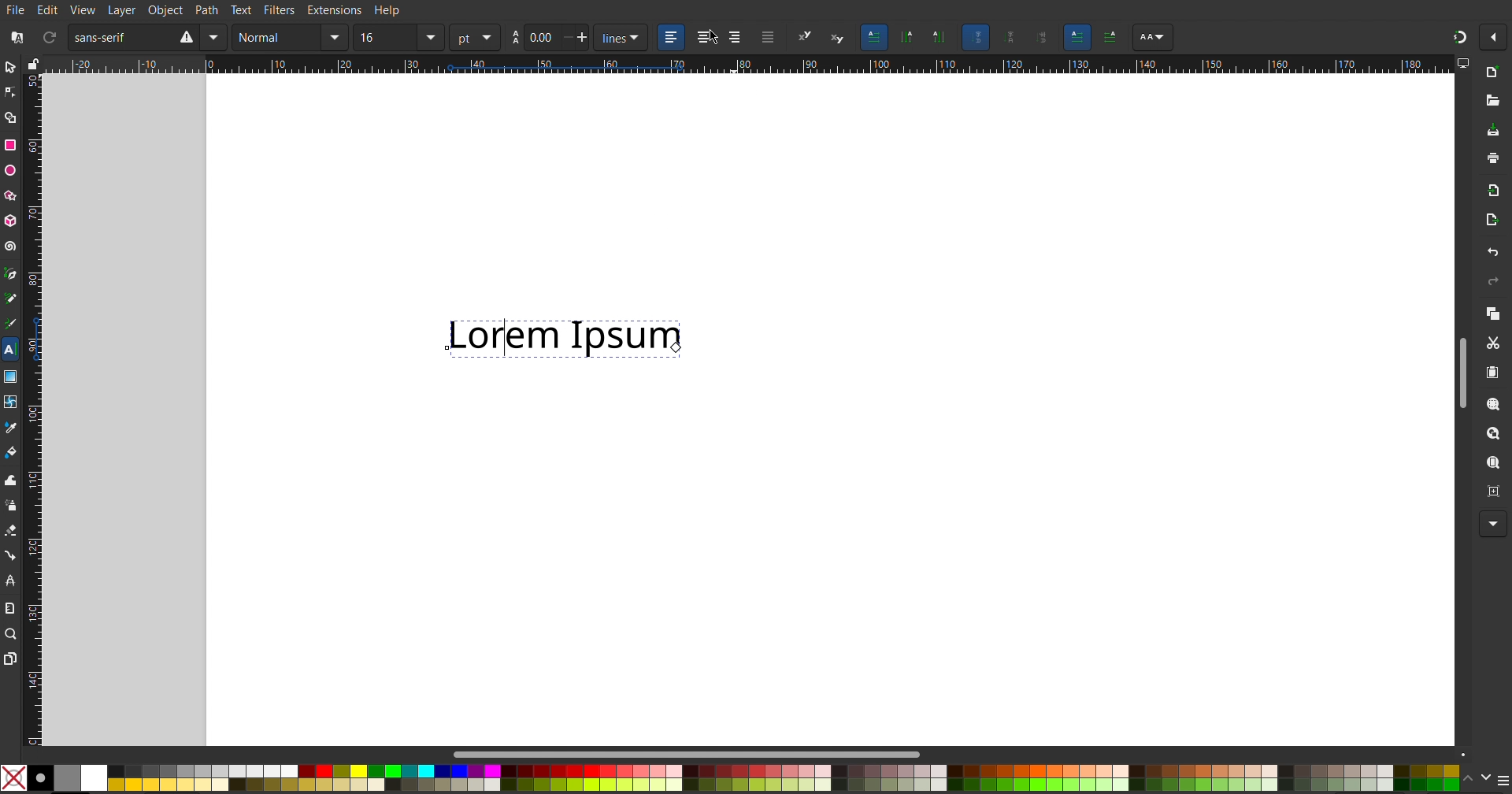 This screenshot has width=1512, height=794. What do you see at coordinates (978, 37) in the screenshot?
I see `Auto glyph orientation` at bounding box center [978, 37].